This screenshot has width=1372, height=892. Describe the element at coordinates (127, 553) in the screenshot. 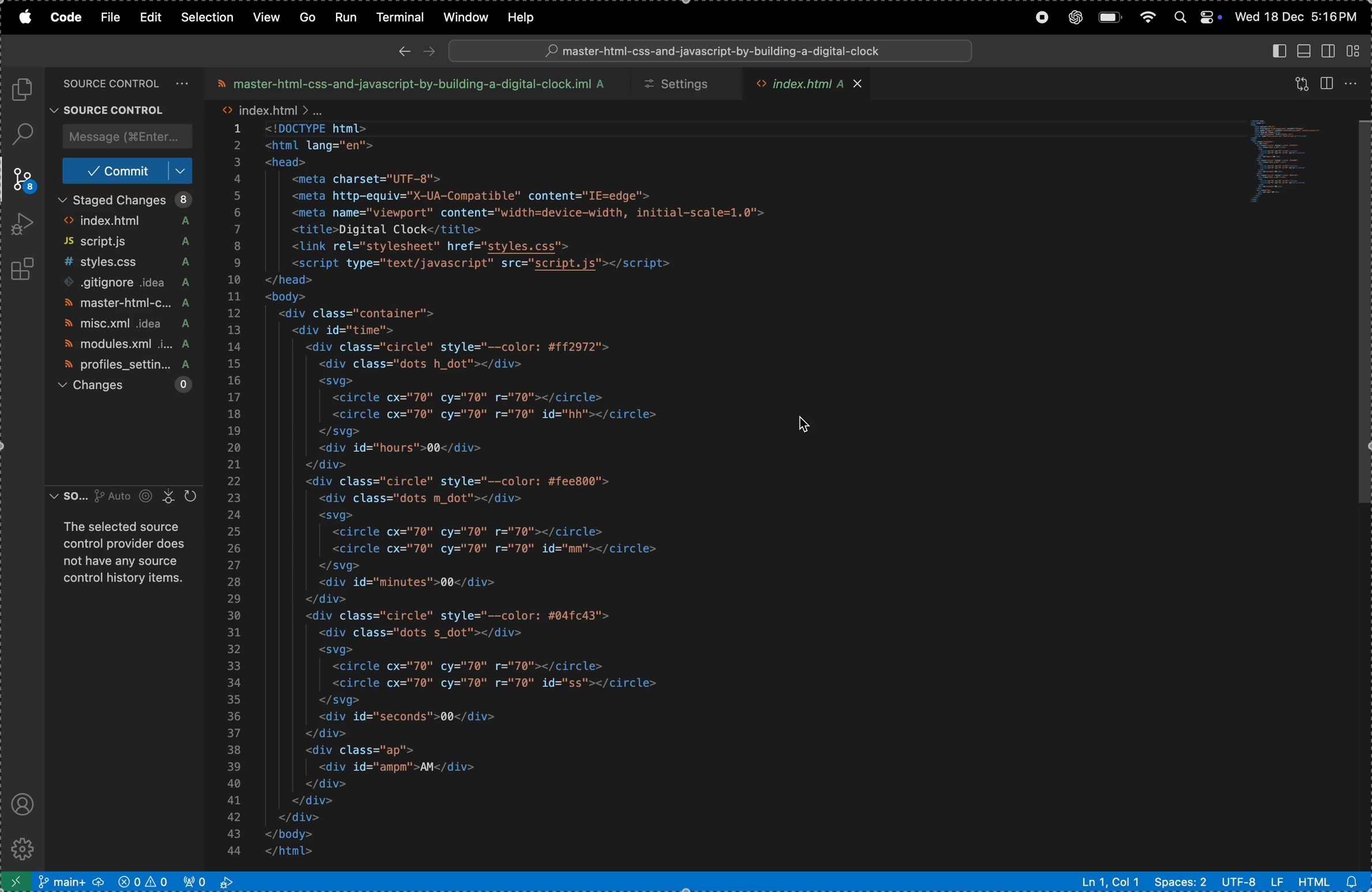

I see `description about the source selected ` at that location.